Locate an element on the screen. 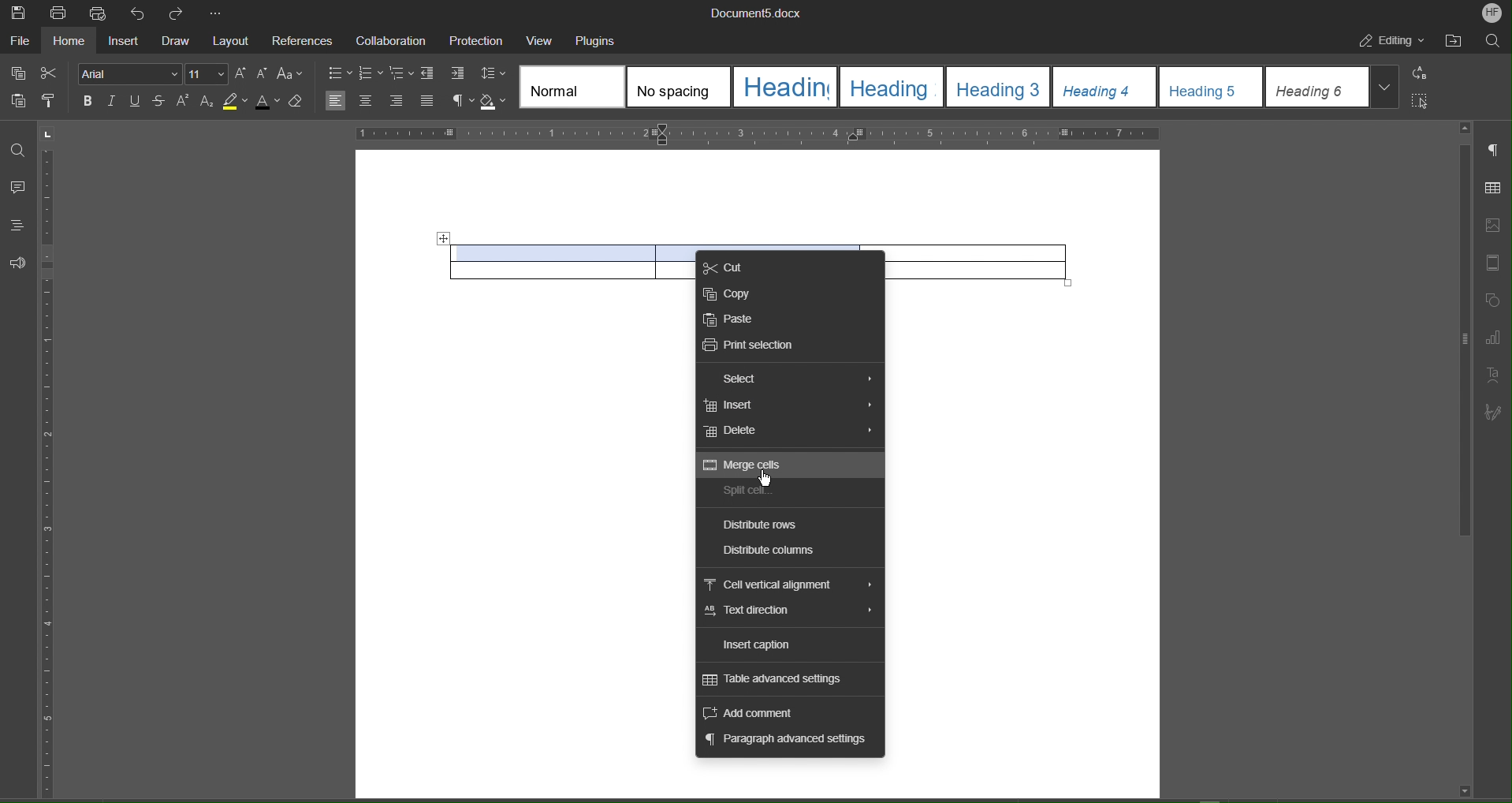  Normal is located at coordinates (572, 87).